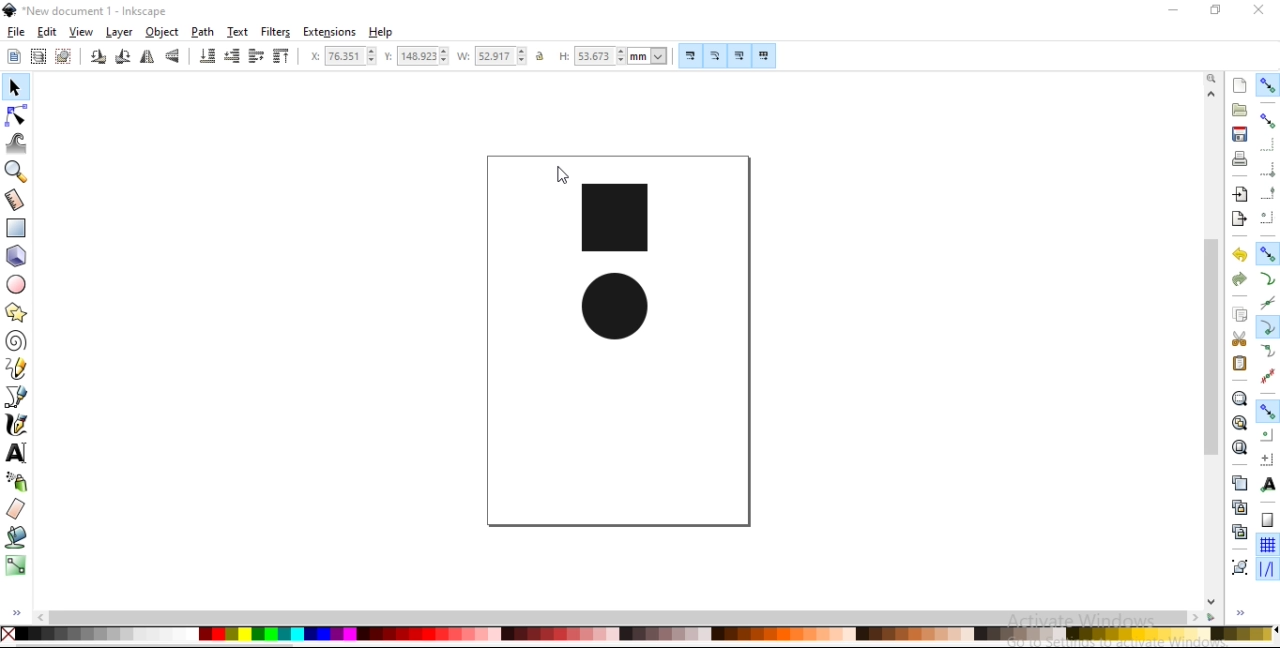 This screenshot has height=648, width=1280. I want to click on view, so click(80, 32).